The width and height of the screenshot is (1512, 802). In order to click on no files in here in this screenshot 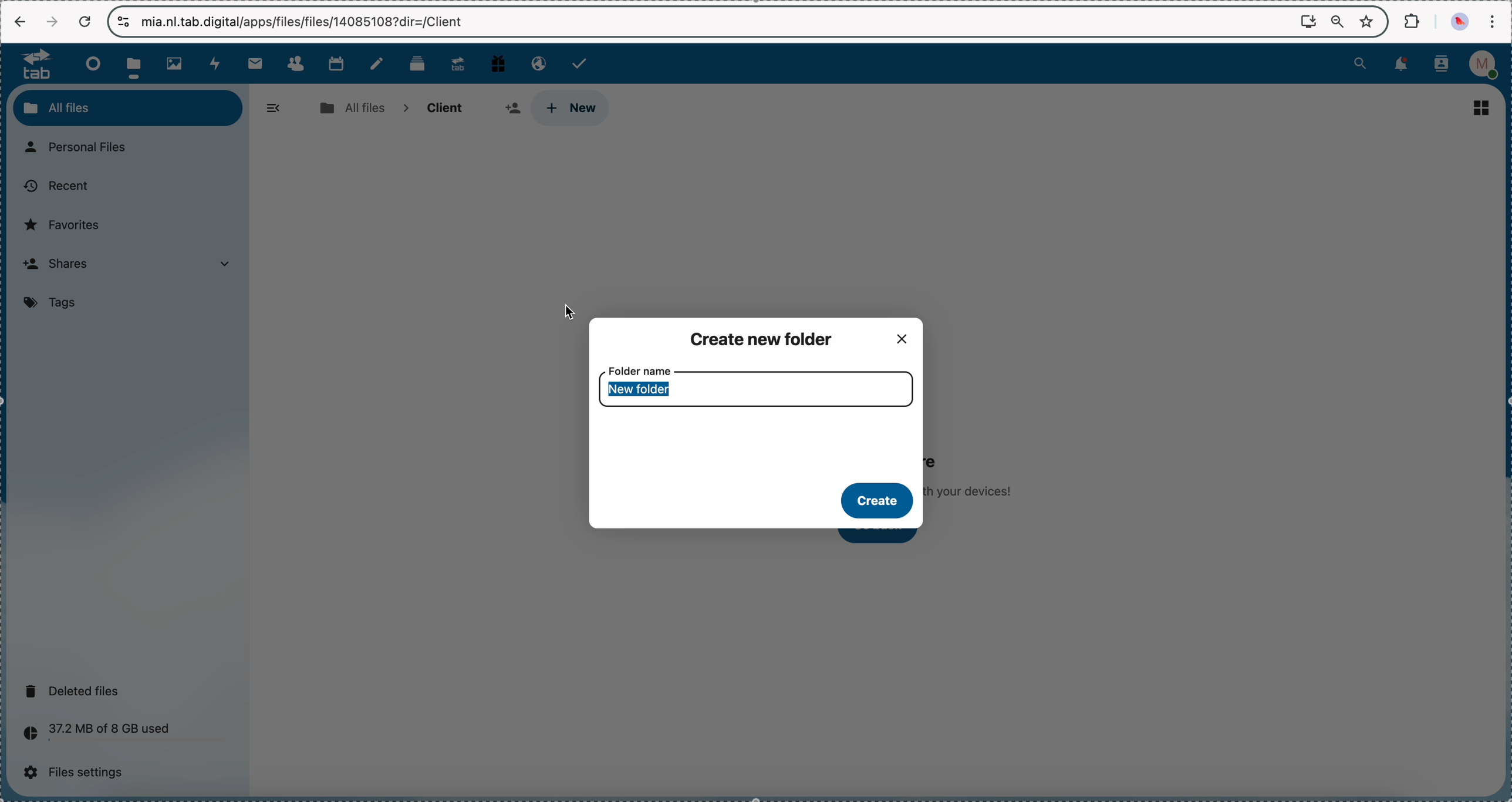, I will do `click(977, 472)`.